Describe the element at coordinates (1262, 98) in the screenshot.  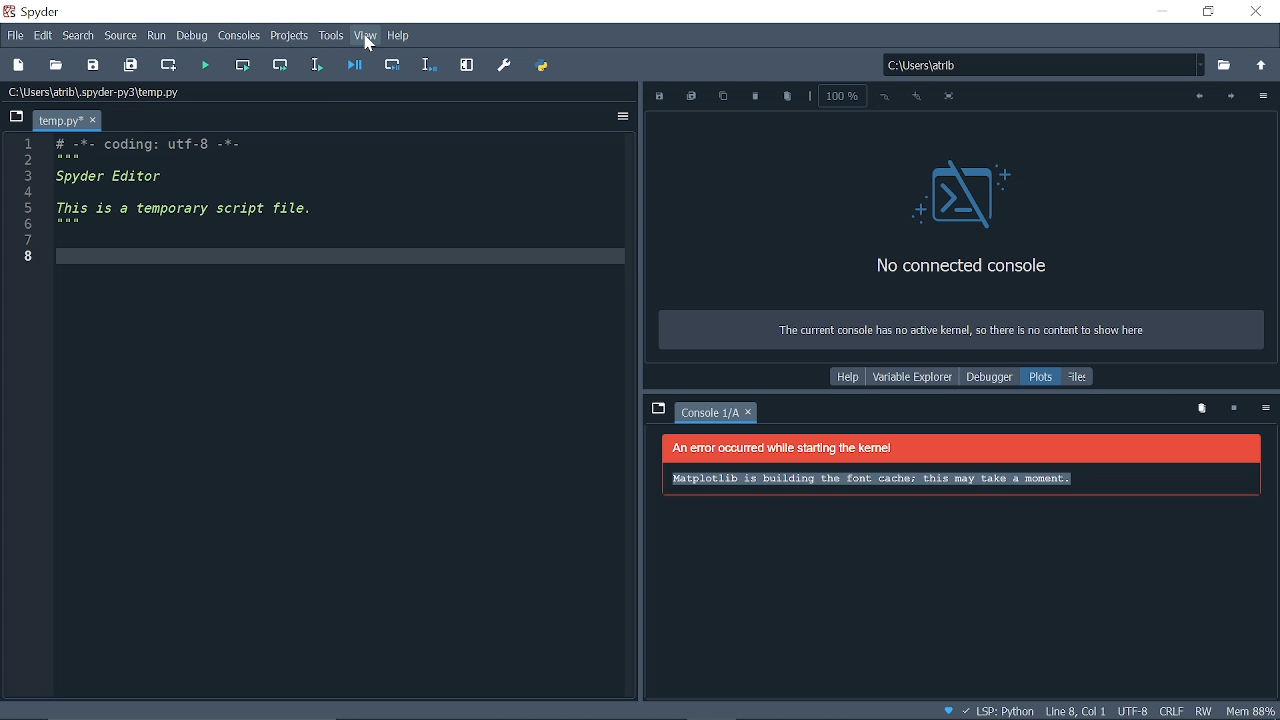
I see `Options` at that location.